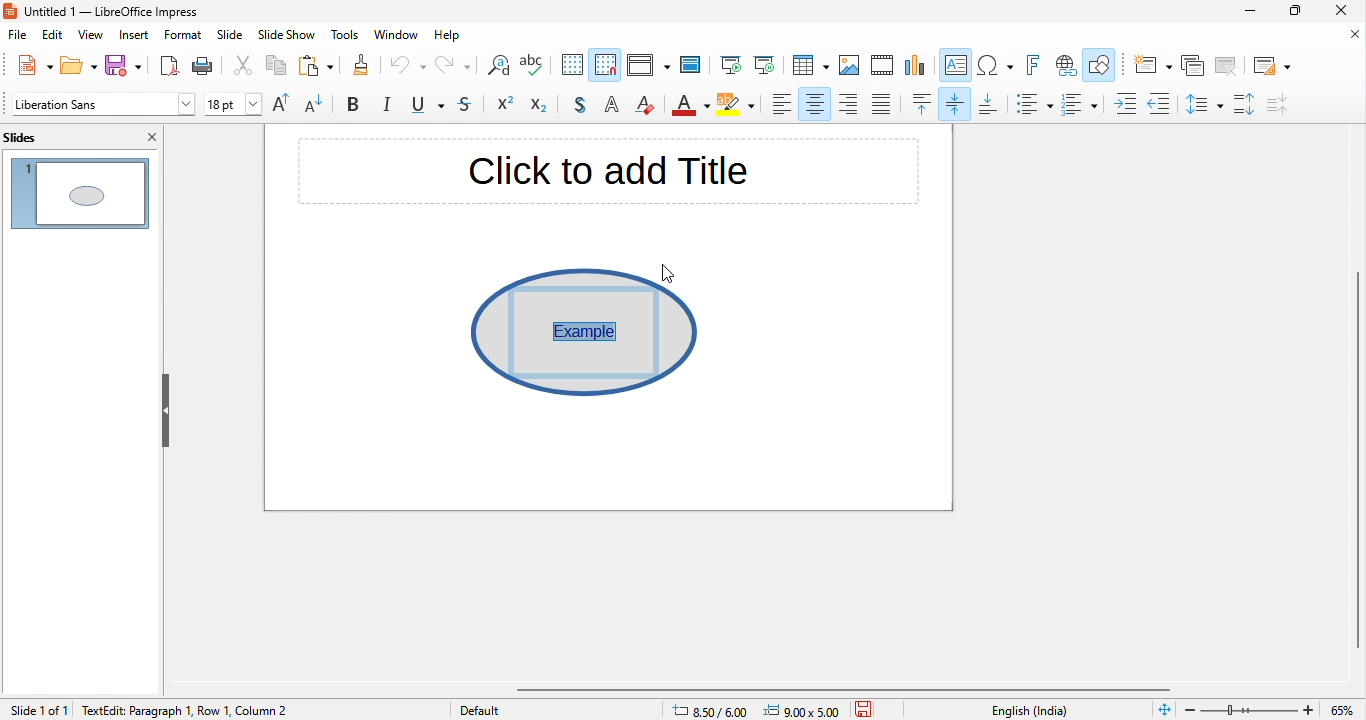  I want to click on fontwork text, so click(1036, 66).